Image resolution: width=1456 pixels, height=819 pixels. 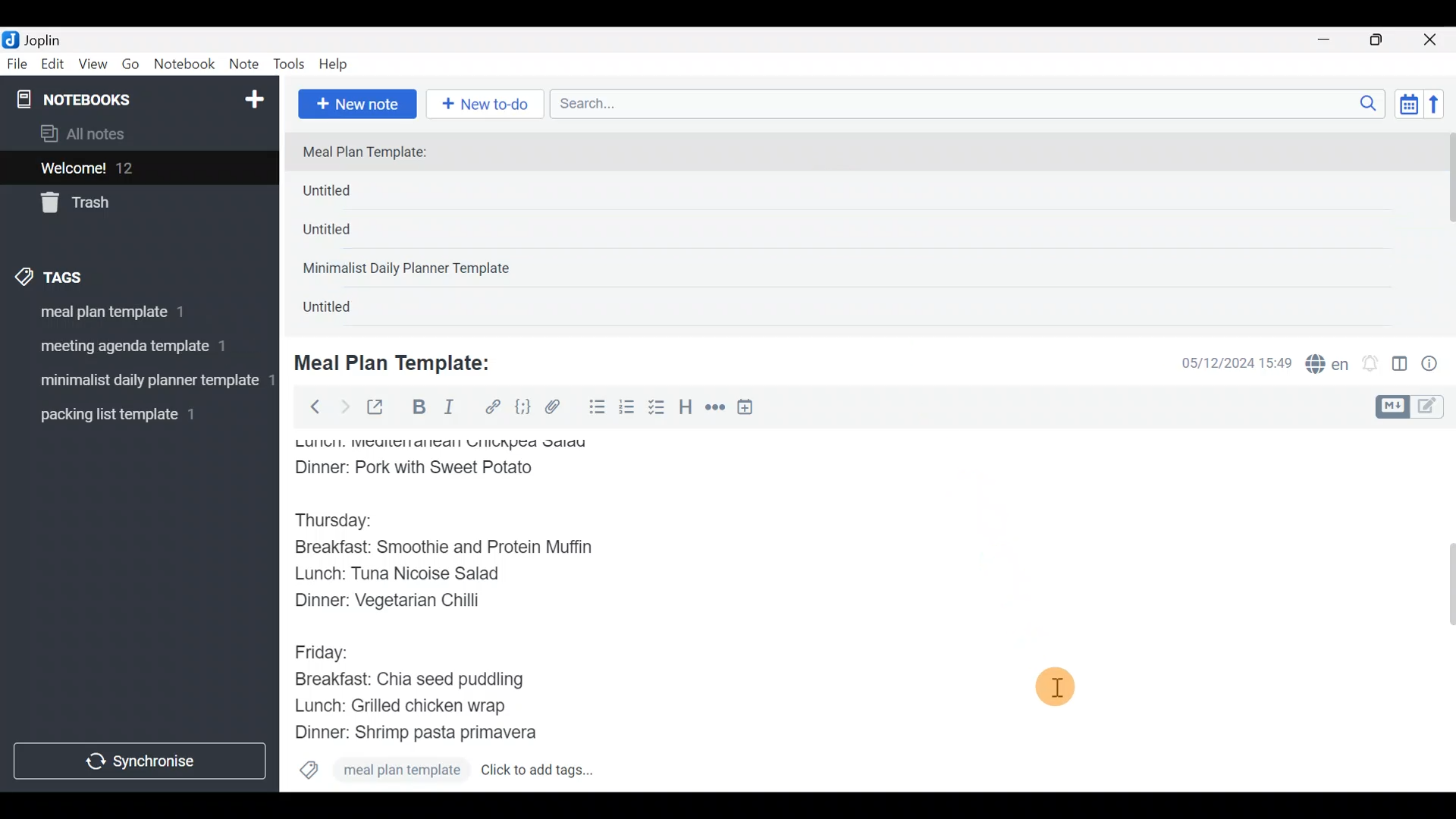 I want to click on Attach file, so click(x=557, y=409).